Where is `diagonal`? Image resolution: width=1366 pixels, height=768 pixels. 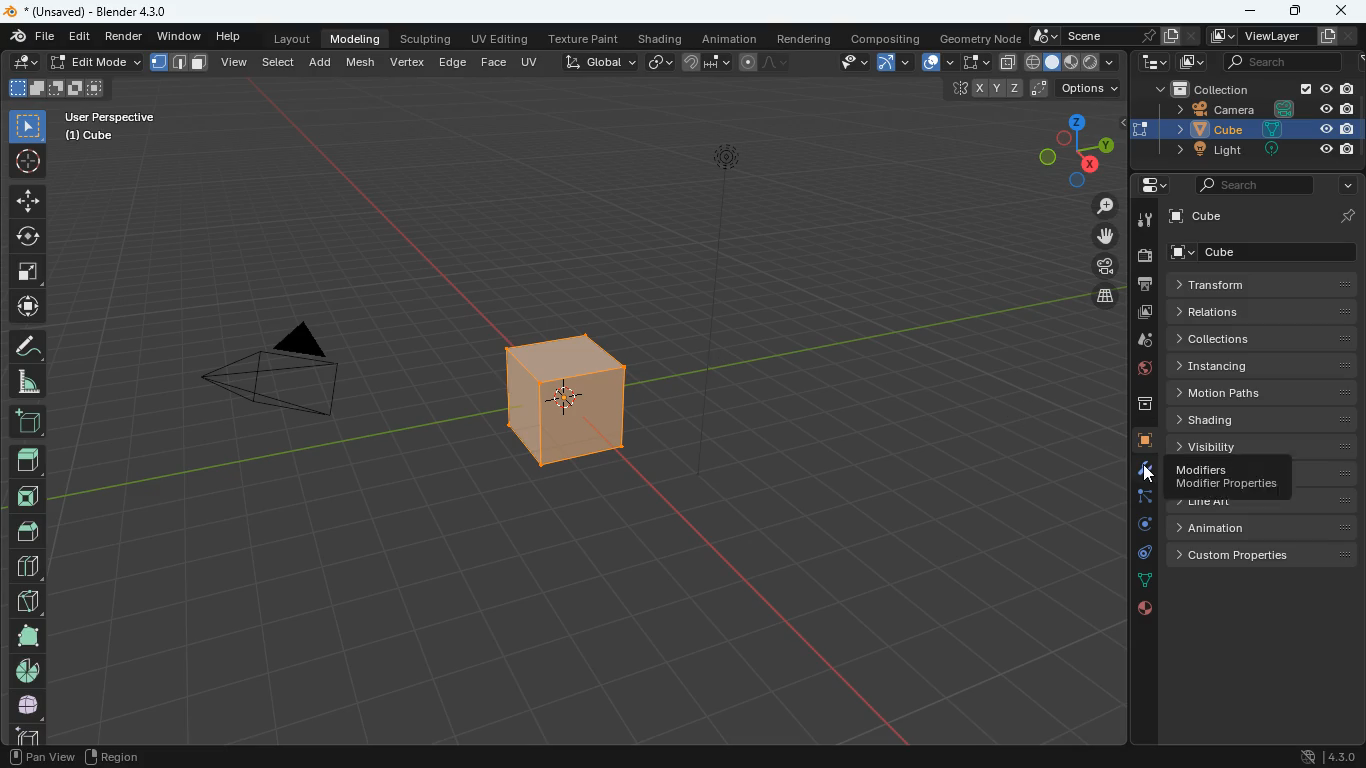
diagonal is located at coordinates (26, 602).